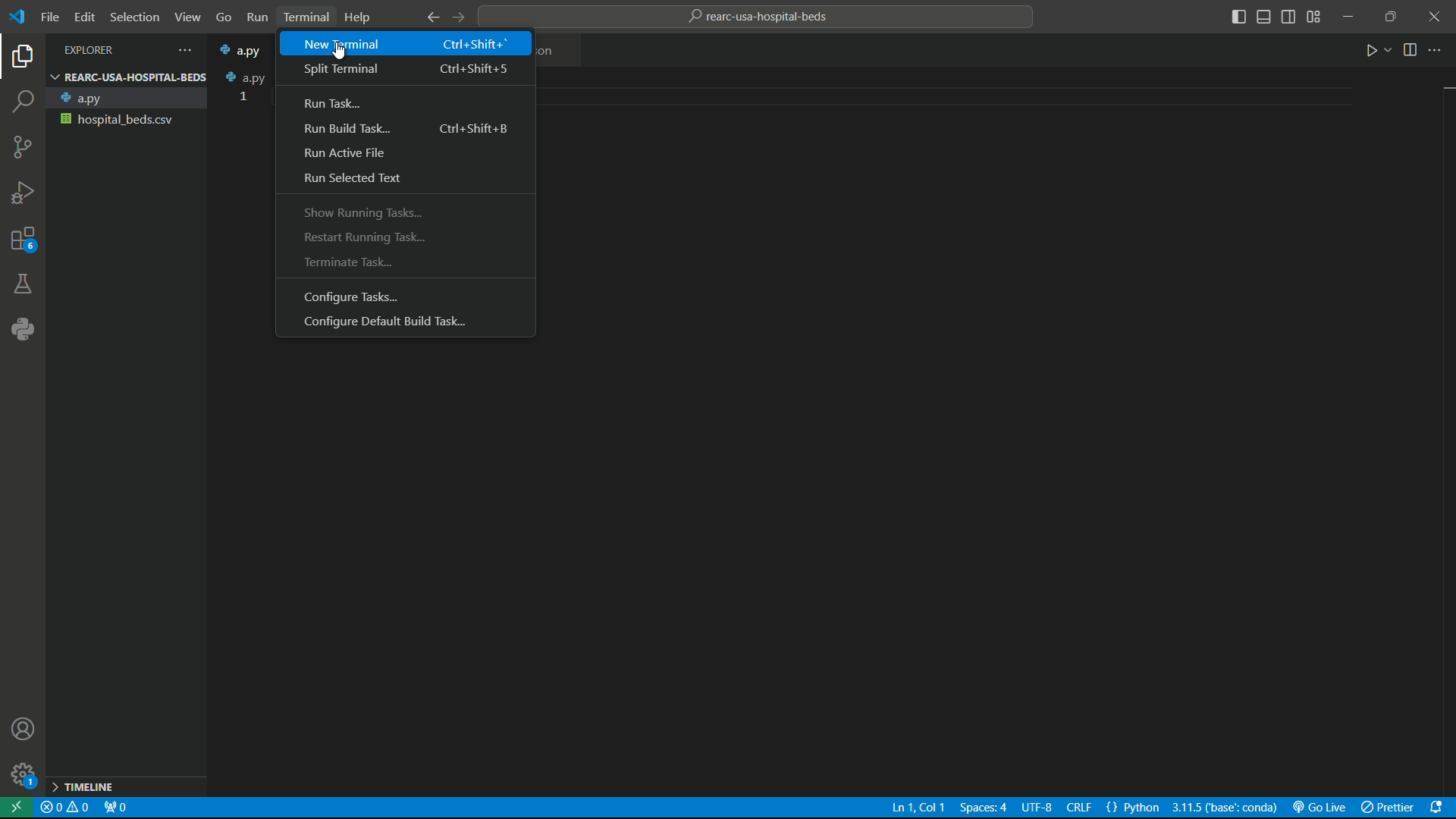 The width and height of the screenshot is (1456, 819). I want to click on a.py, so click(247, 77).